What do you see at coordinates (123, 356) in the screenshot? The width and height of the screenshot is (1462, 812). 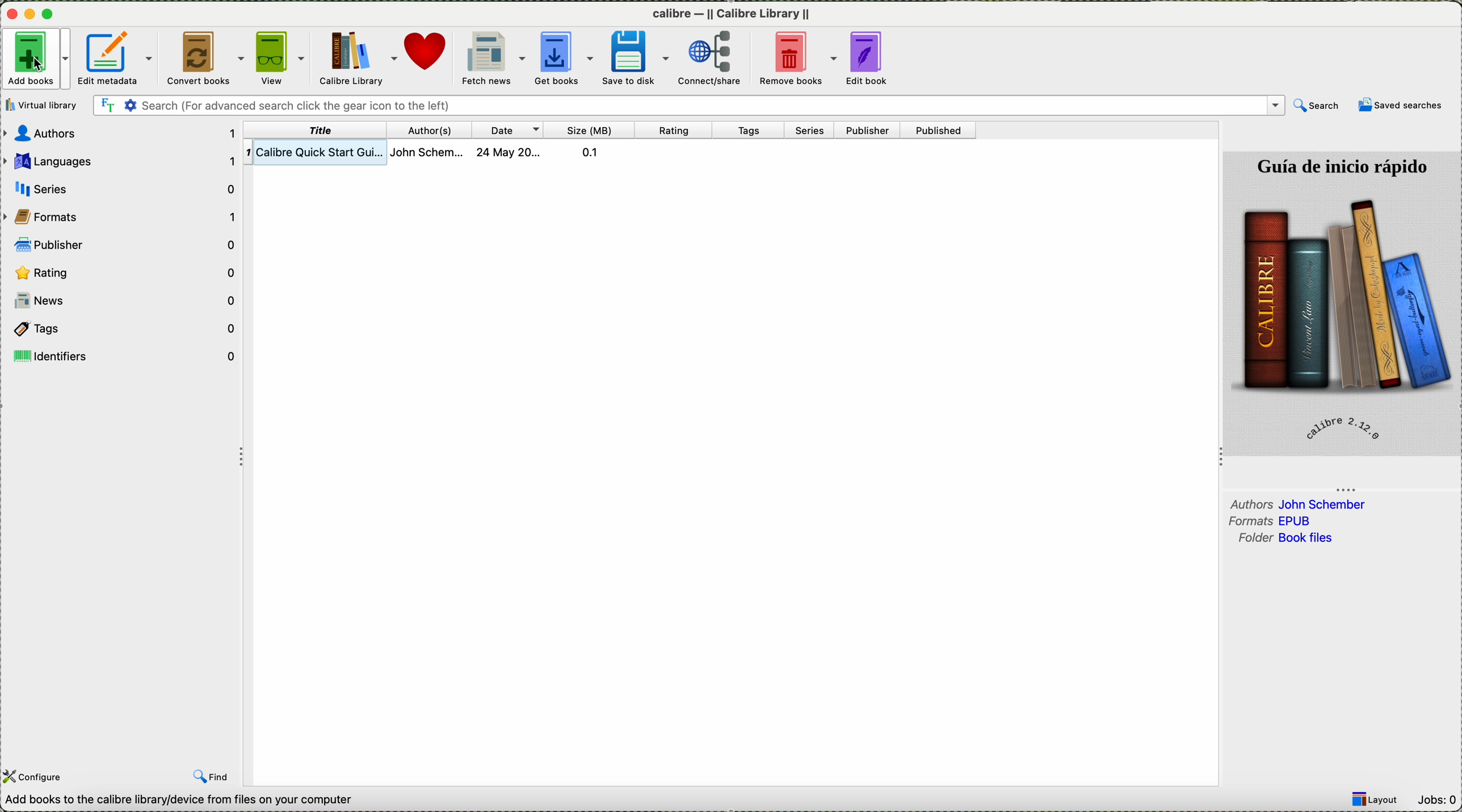 I see `identifiers` at bounding box center [123, 356].